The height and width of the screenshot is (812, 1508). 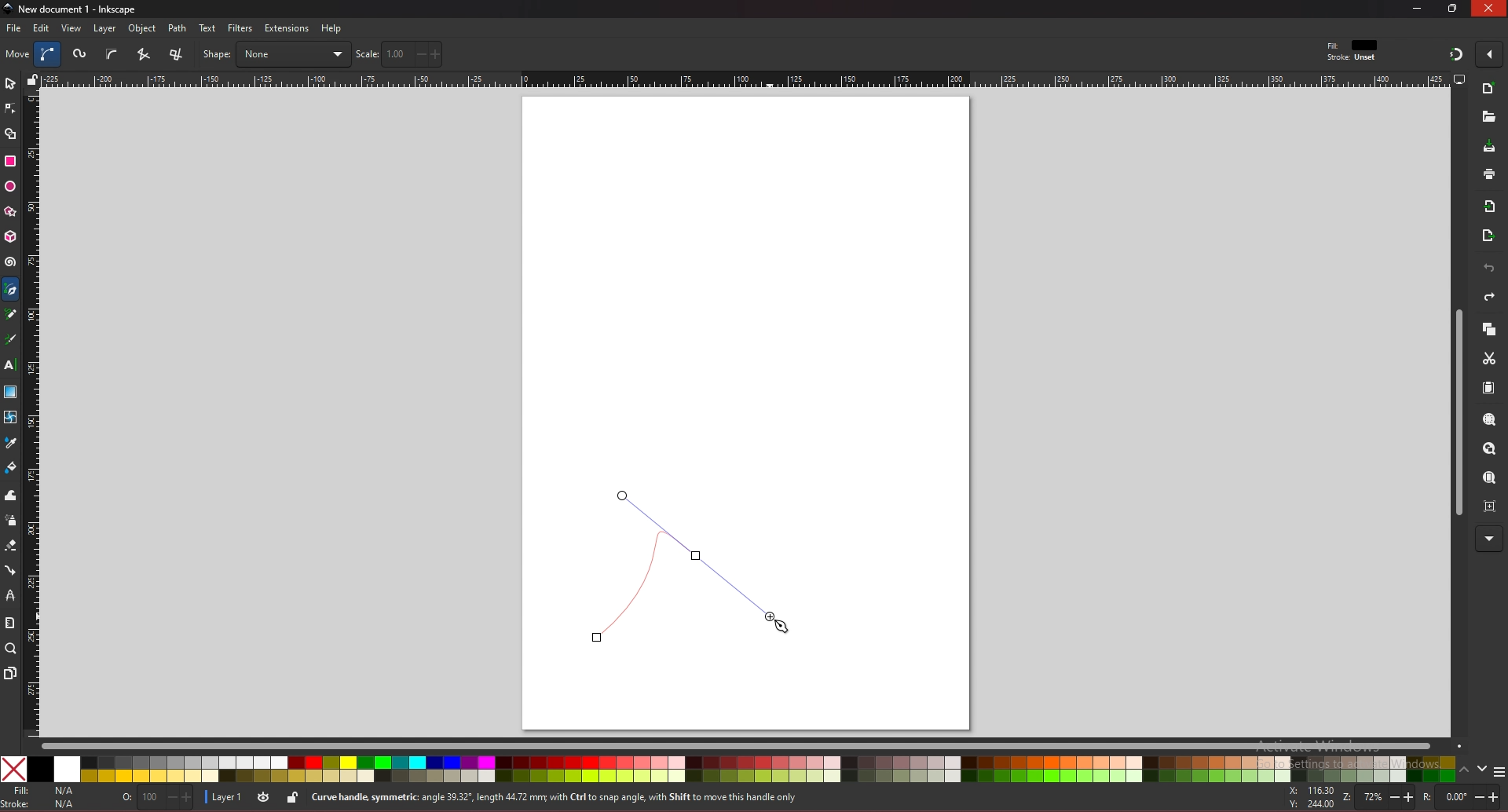 I want to click on connector, so click(x=11, y=571).